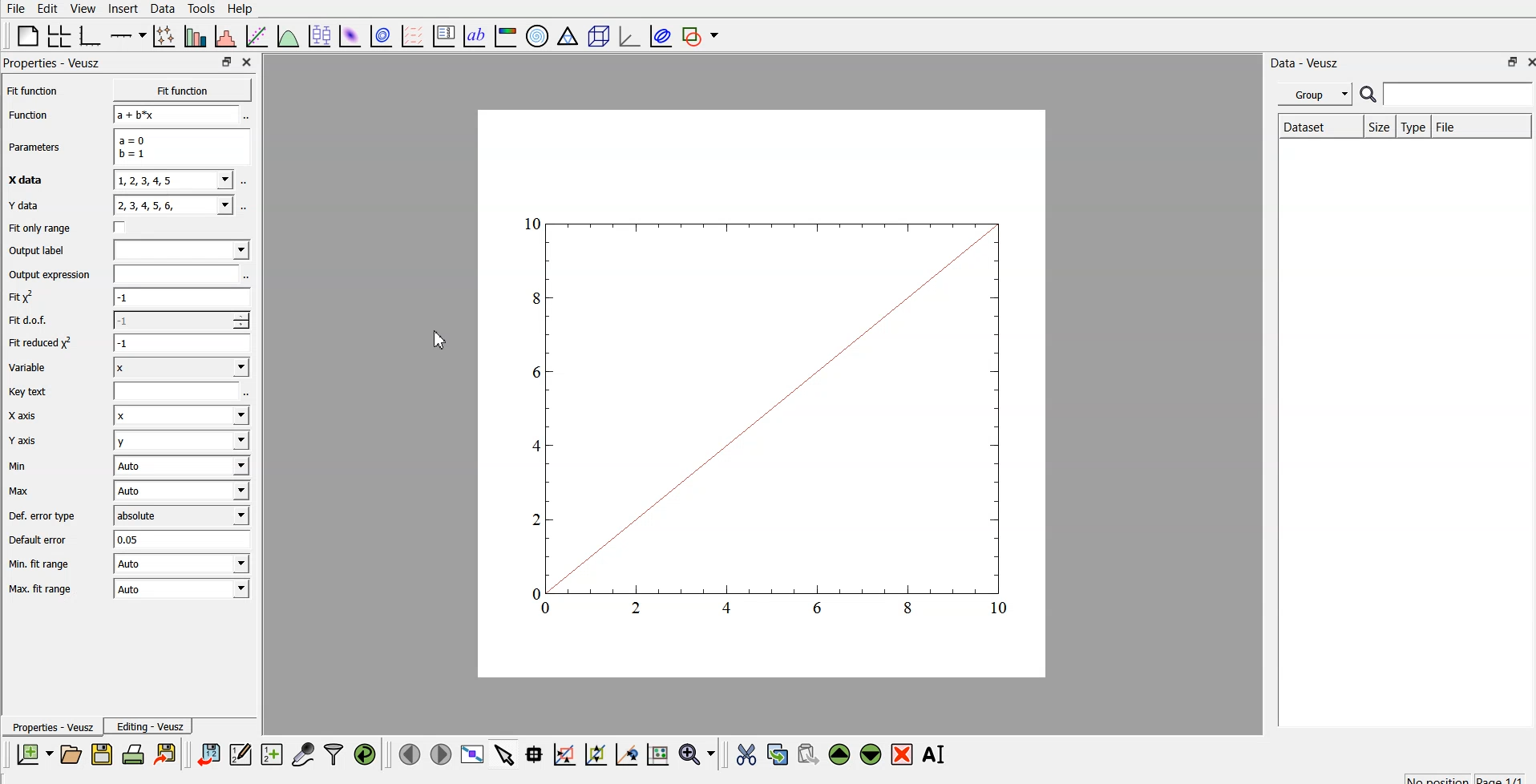 This screenshot has width=1536, height=784. I want to click on paste the selected widget, so click(807, 754).